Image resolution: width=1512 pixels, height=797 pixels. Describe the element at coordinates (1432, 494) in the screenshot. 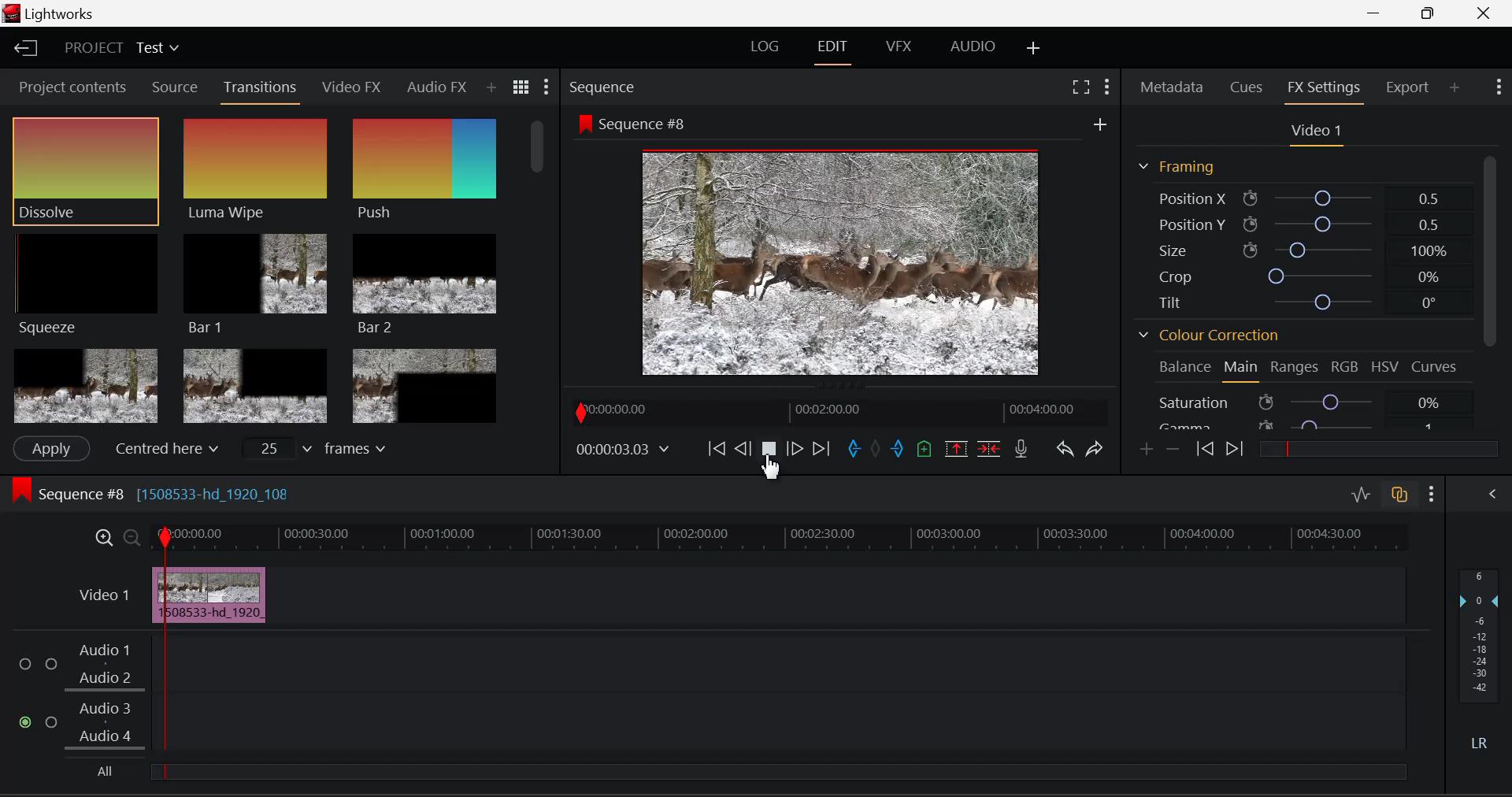

I see `Show Settings` at that location.